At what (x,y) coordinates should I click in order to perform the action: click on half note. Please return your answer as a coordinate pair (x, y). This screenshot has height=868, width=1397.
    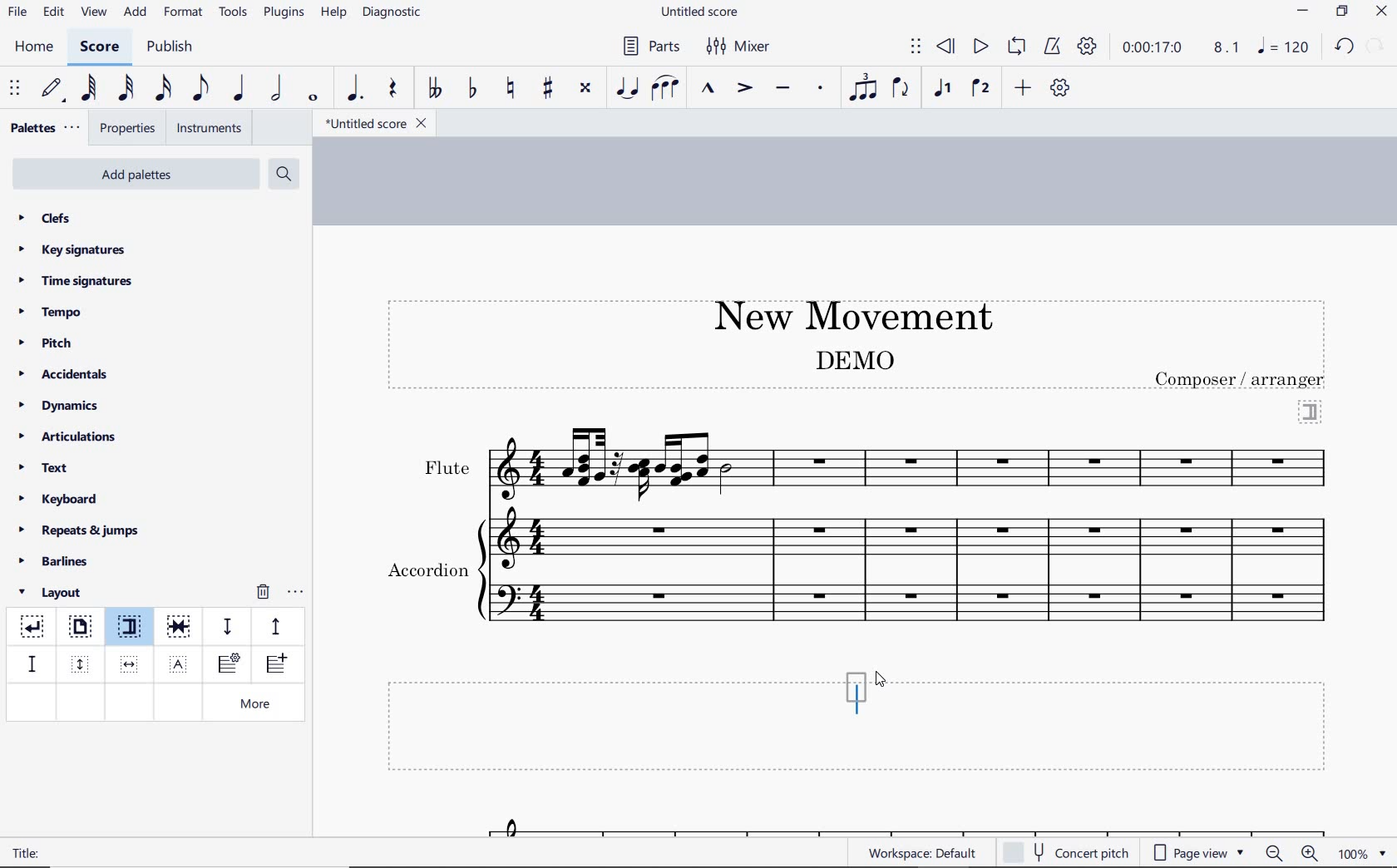
    Looking at the image, I should click on (276, 89).